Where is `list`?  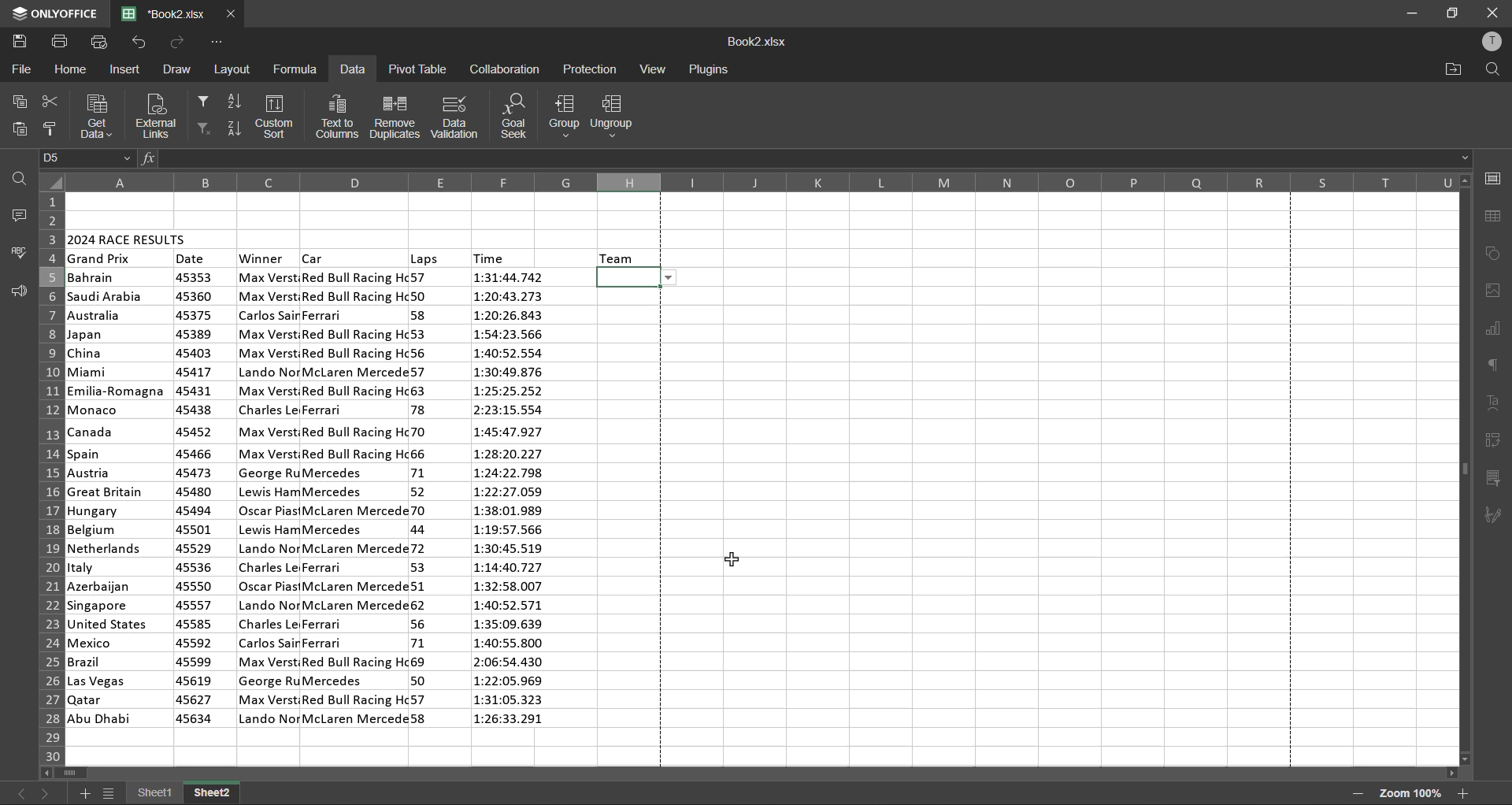 list is located at coordinates (669, 278).